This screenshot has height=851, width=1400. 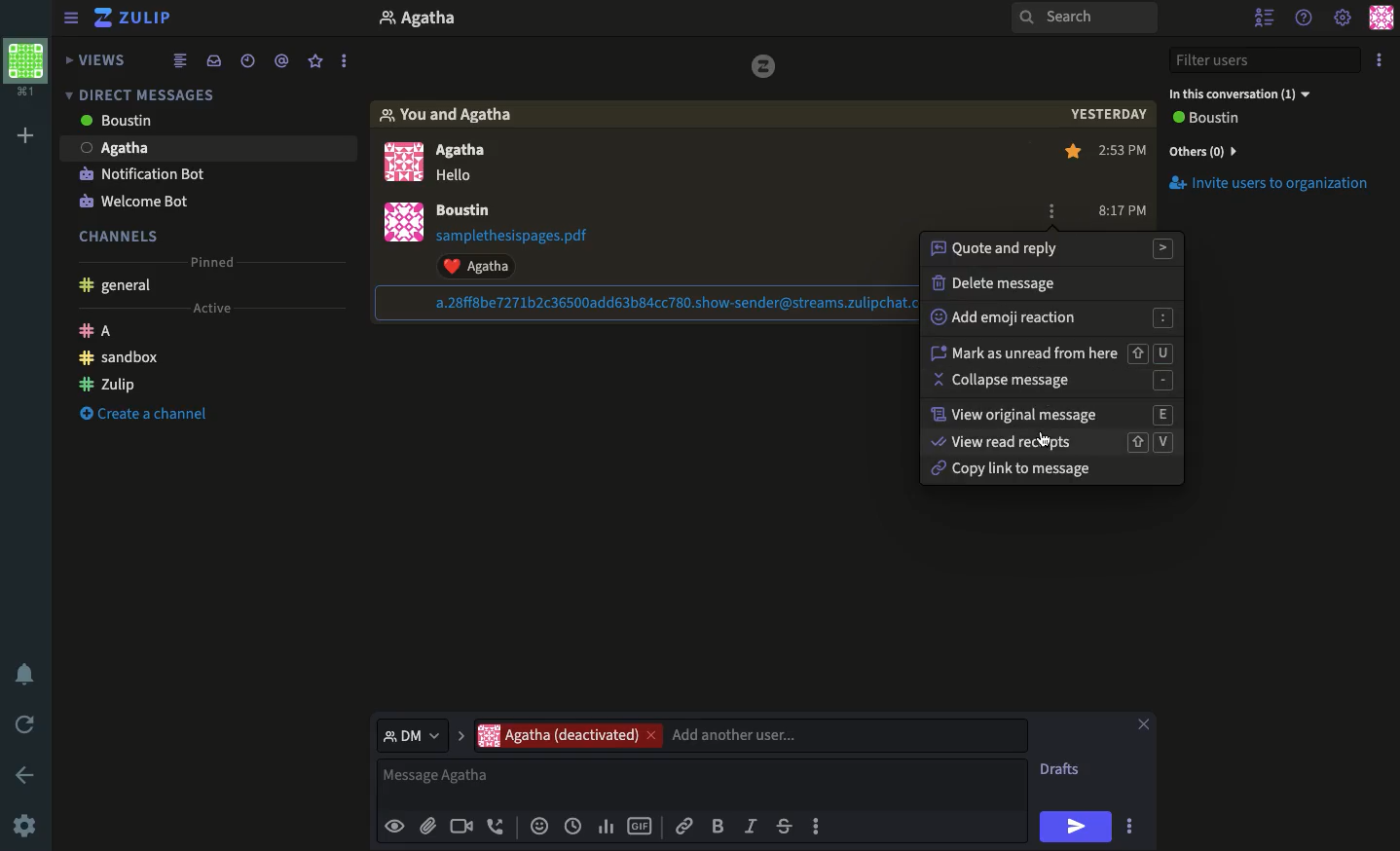 I want to click on Refresh, so click(x=28, y=722).